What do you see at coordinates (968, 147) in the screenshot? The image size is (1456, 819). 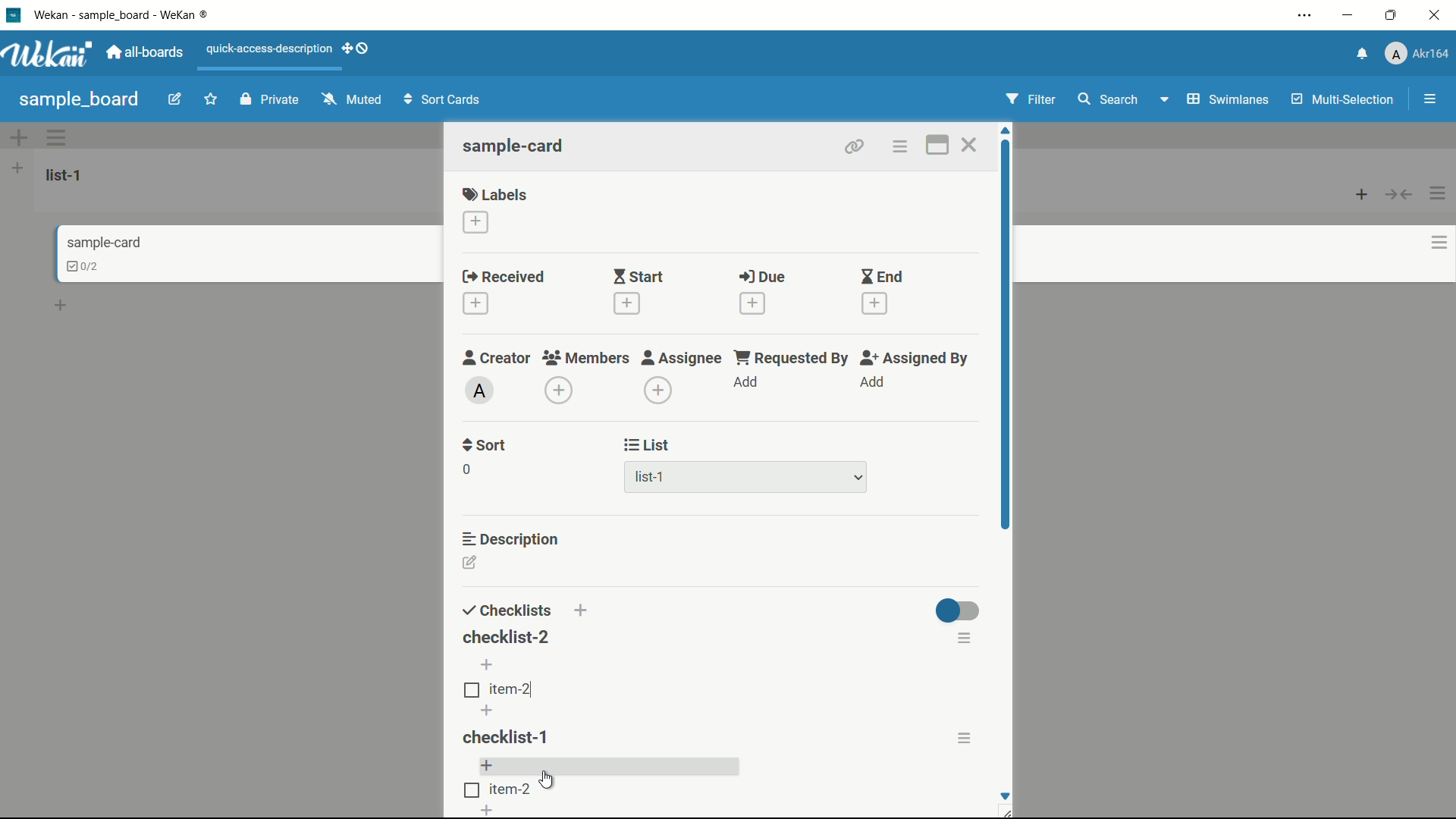 I see `close card` at bounding box center [968, 147].